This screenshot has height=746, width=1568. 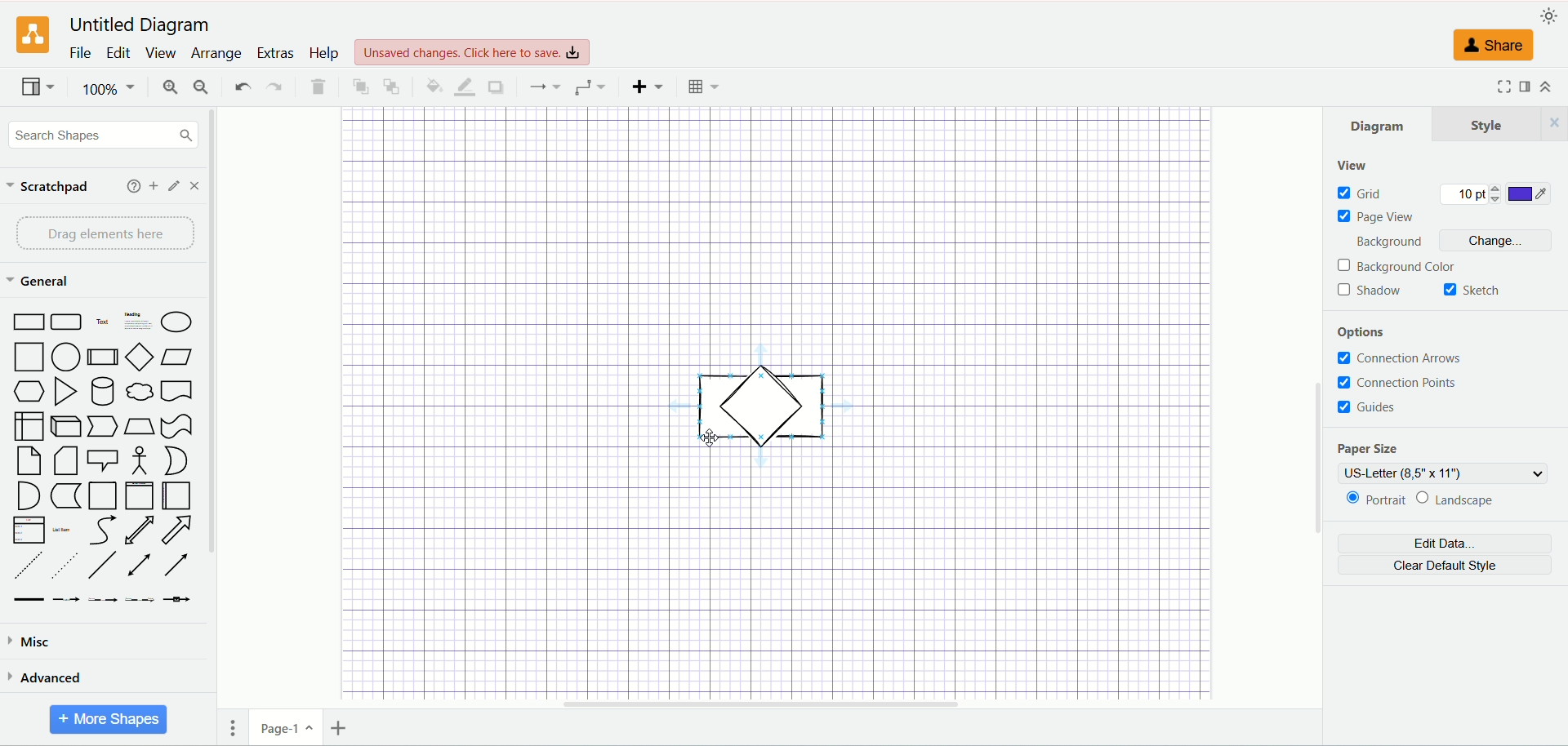 What do you see at coordinates (140, 26) in the screenshot?
I see `Untitled Diagram` at bounding box center [140, 26].